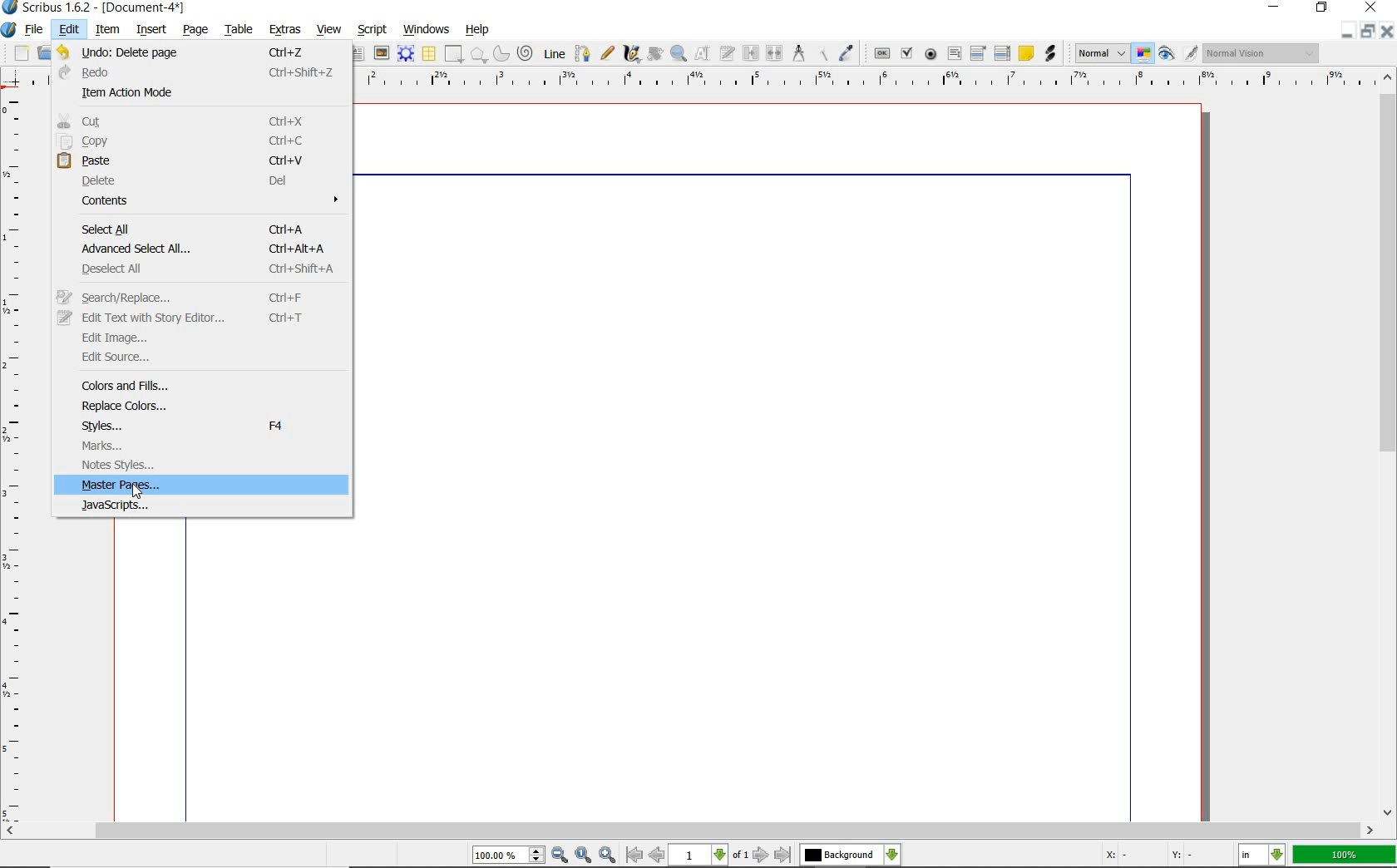  I want to click on help, so click(478, 30).